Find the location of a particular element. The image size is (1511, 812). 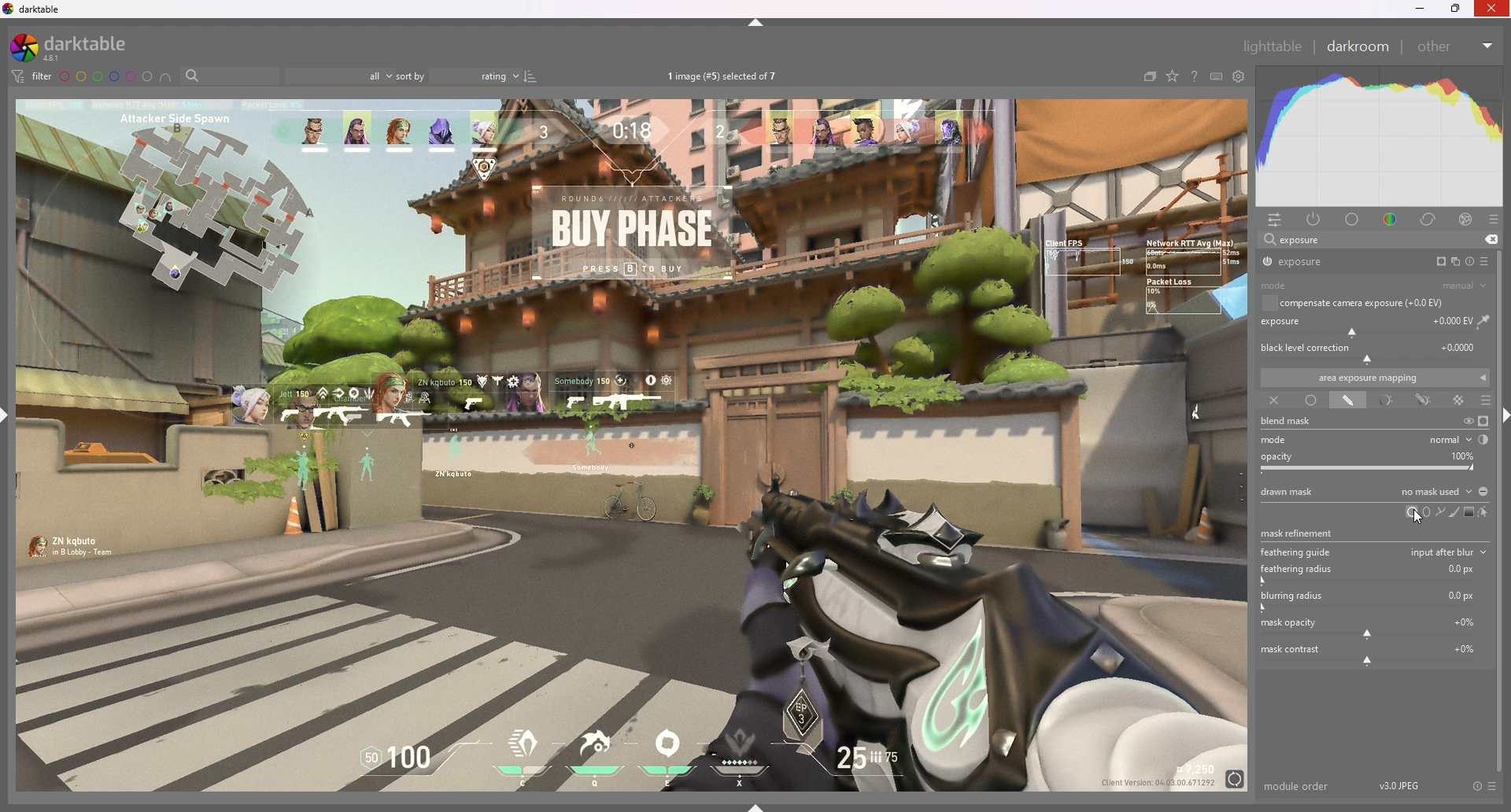

 is located at coordinates (1493, 9).